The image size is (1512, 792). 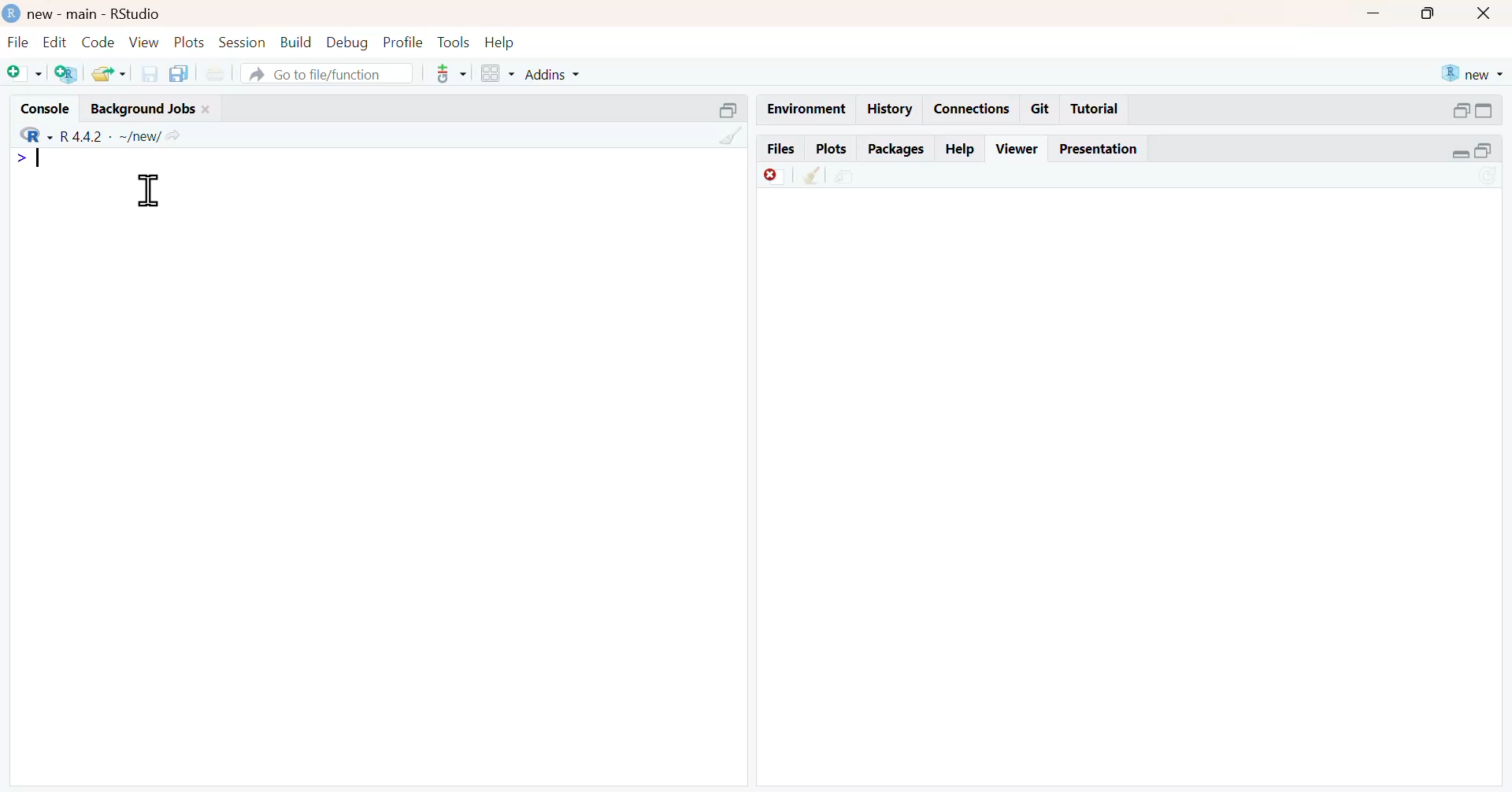 I want to click on file, so click(x=16, y=42).